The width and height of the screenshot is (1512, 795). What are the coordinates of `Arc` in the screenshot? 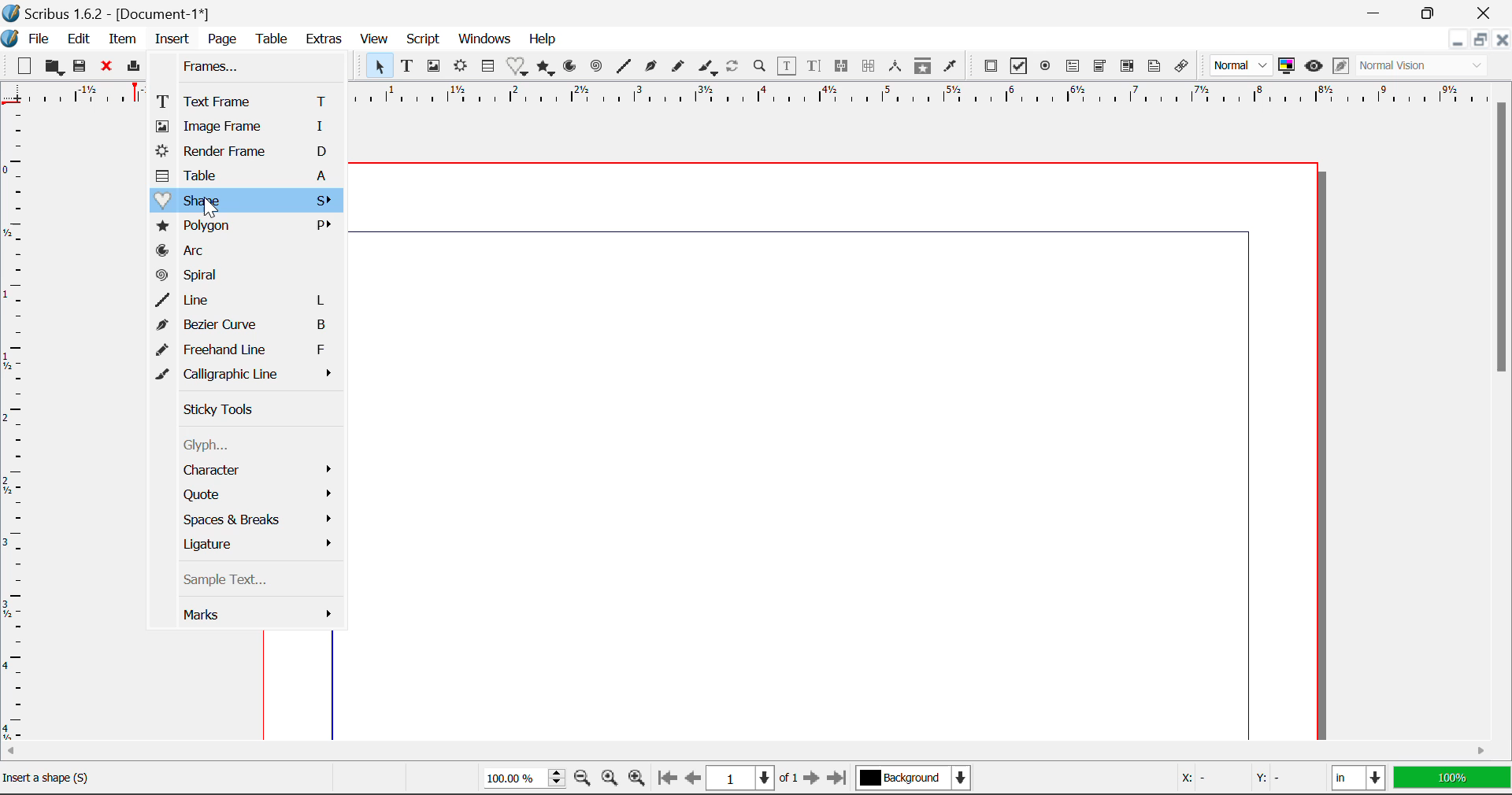 It's located at (249, 251).